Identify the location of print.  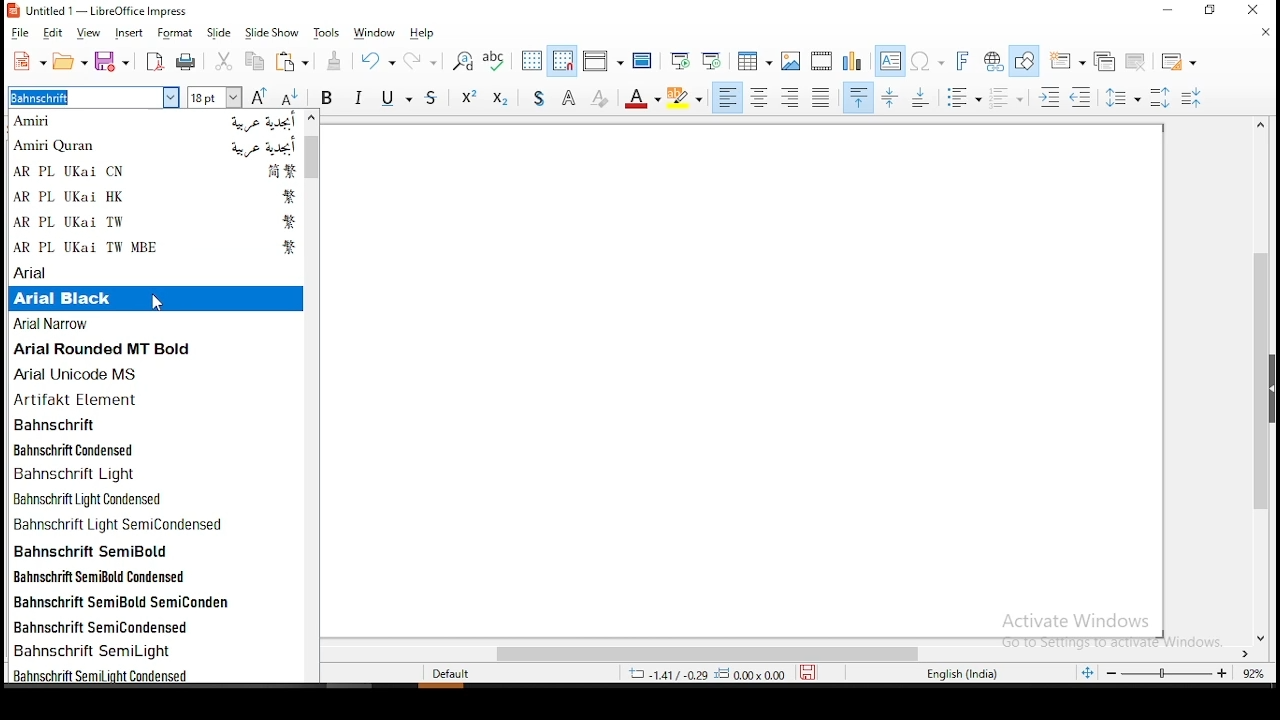
(188, 64).